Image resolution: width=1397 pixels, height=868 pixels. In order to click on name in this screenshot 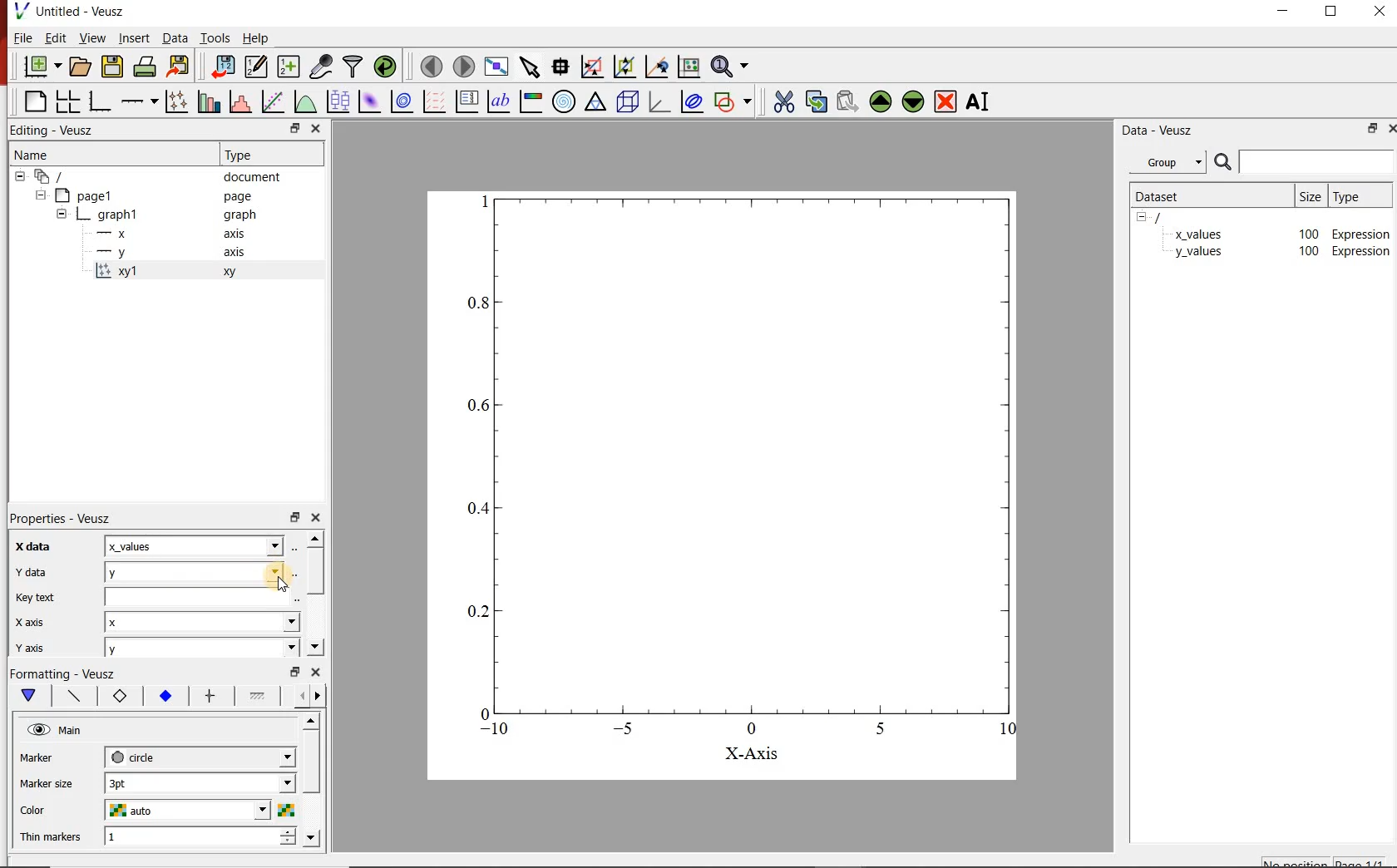, I will do `click(33, 156)`.